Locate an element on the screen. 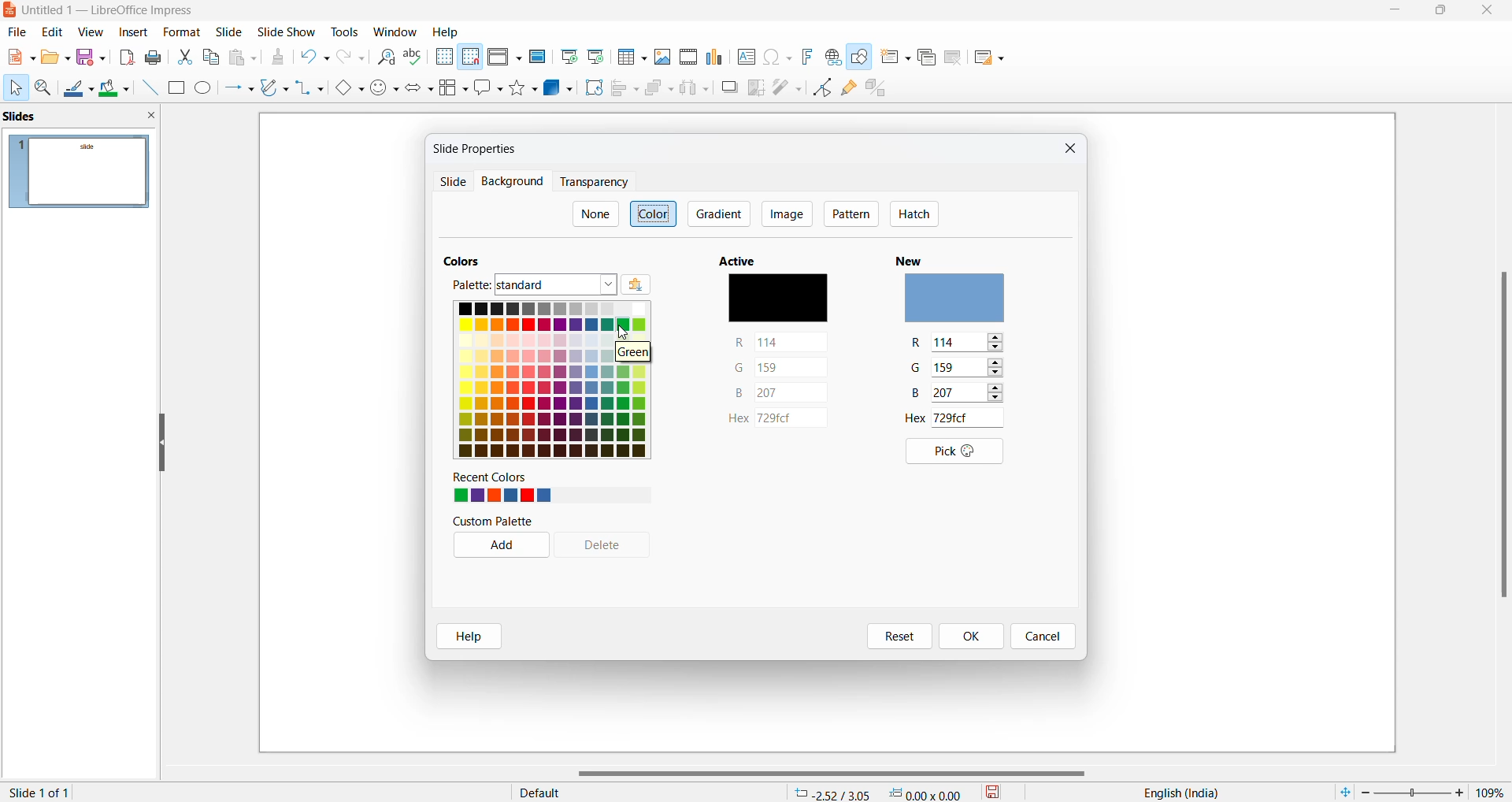 The width and height of the screenshot is (1512, 802). insert is located at coordinates (134, 31).